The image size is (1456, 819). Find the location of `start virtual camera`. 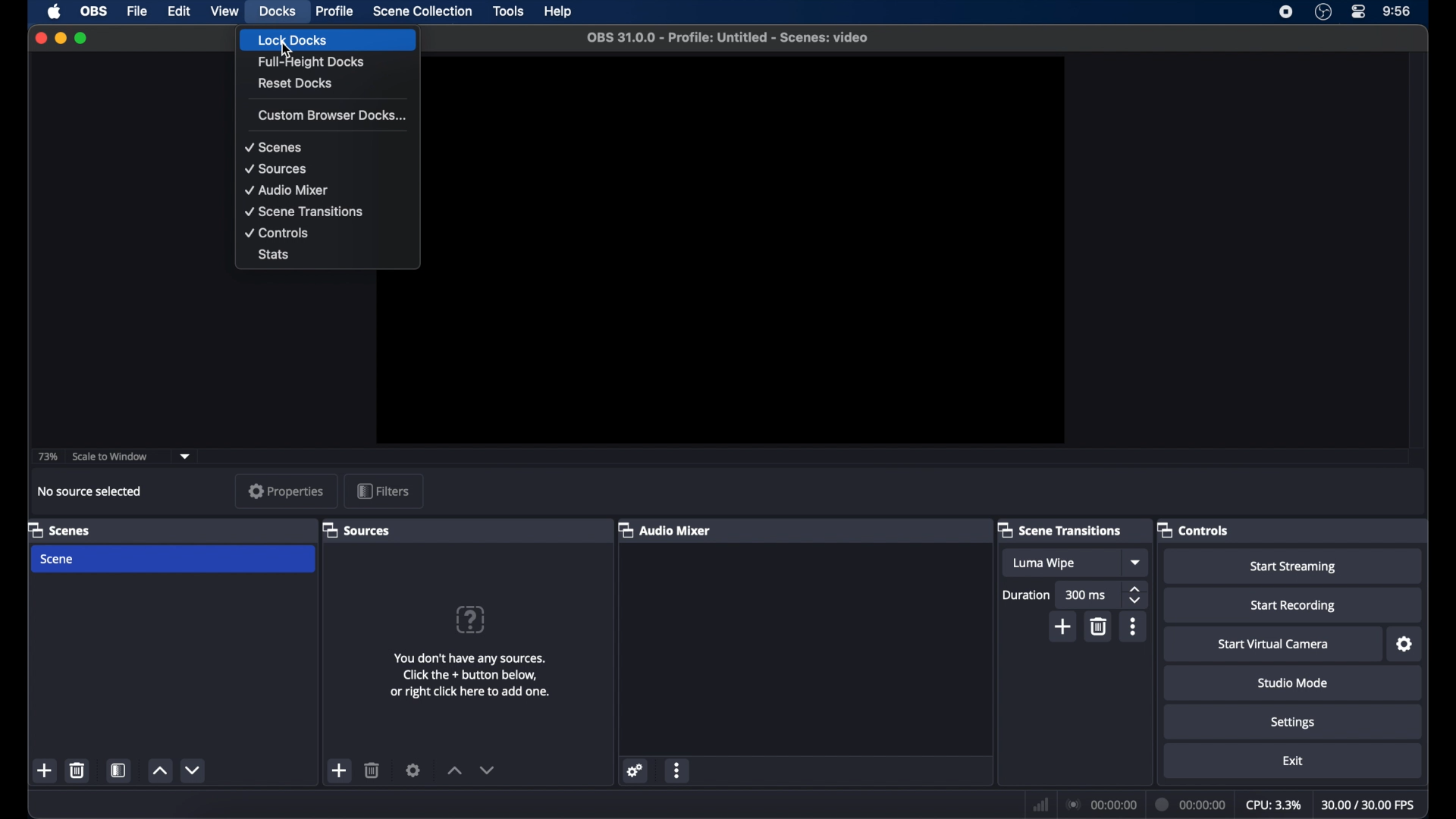

start virtual camera is located at coordinates (1273, 644).